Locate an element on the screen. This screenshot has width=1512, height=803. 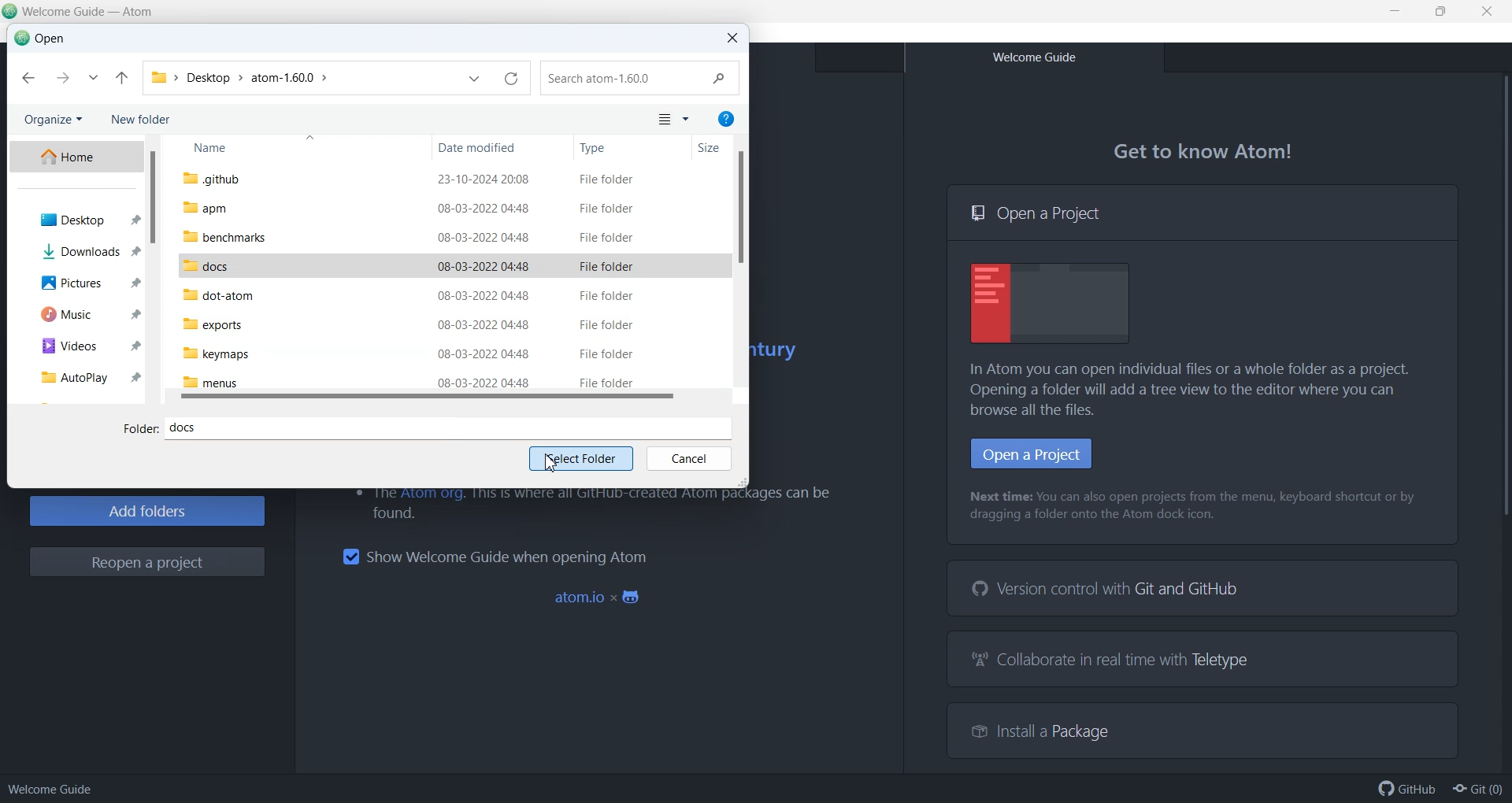
Search .github is located at coordinates (641, 79).